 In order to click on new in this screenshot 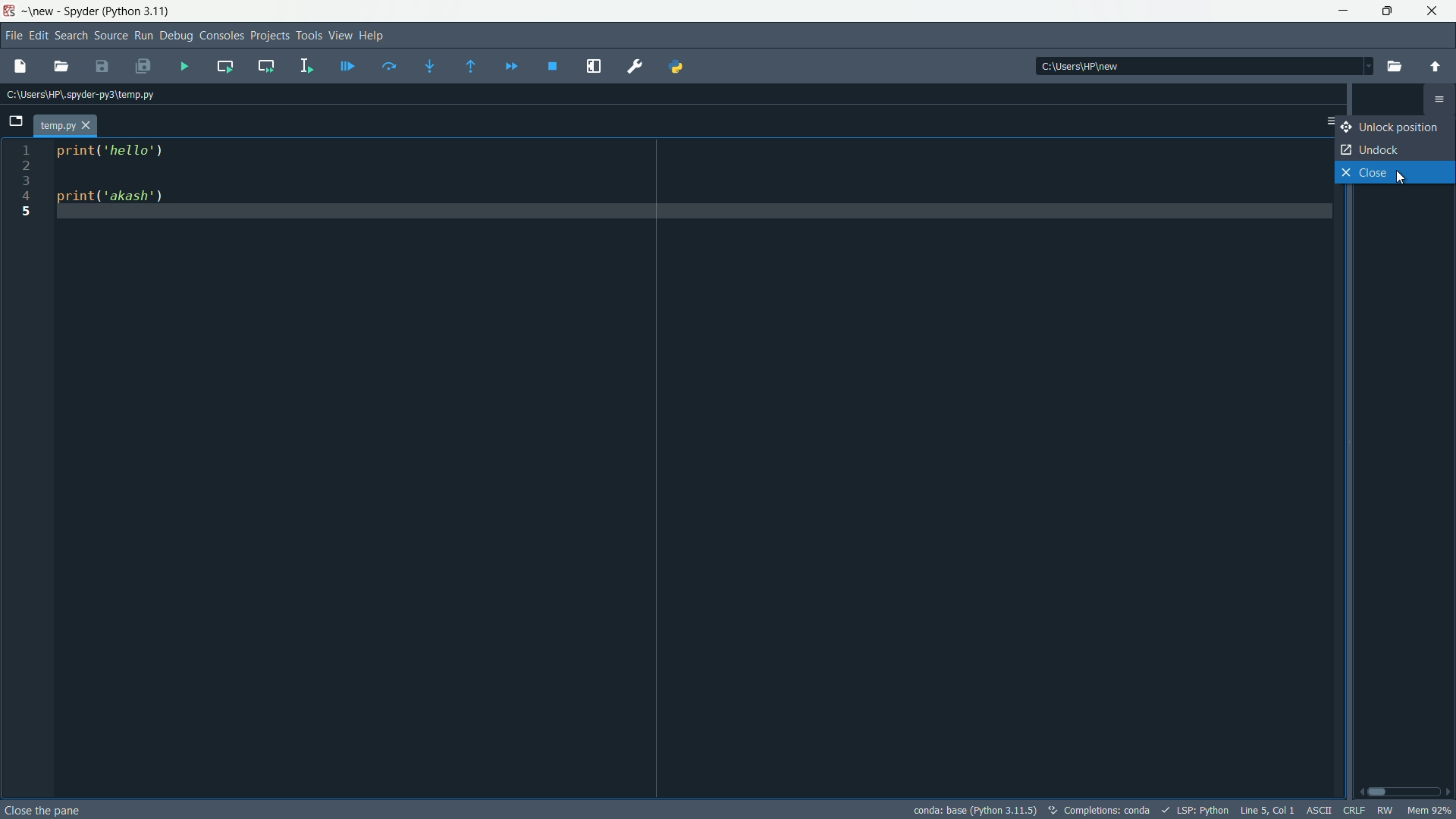, I will do `click(40, 12)`.